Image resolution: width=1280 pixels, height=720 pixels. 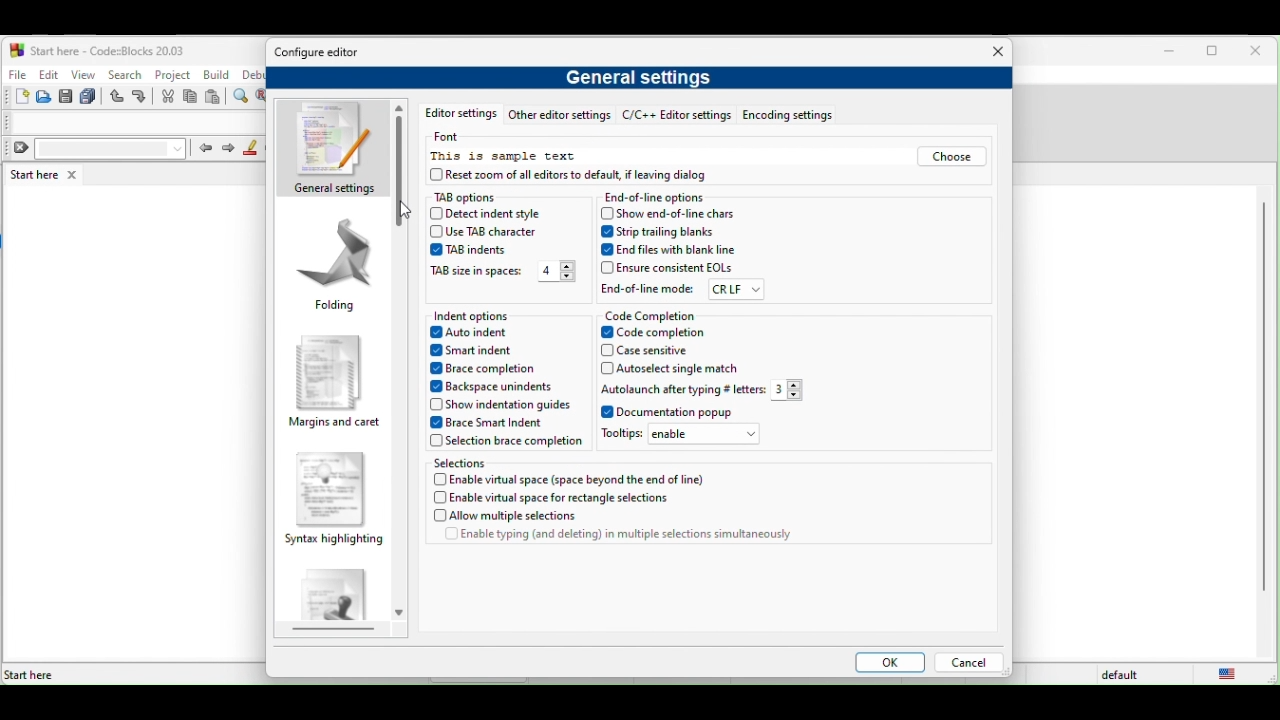 What do you see at coordinates (335, 381) in the screenshot?
I see `margins and caret` at bounding box center [335, 381].